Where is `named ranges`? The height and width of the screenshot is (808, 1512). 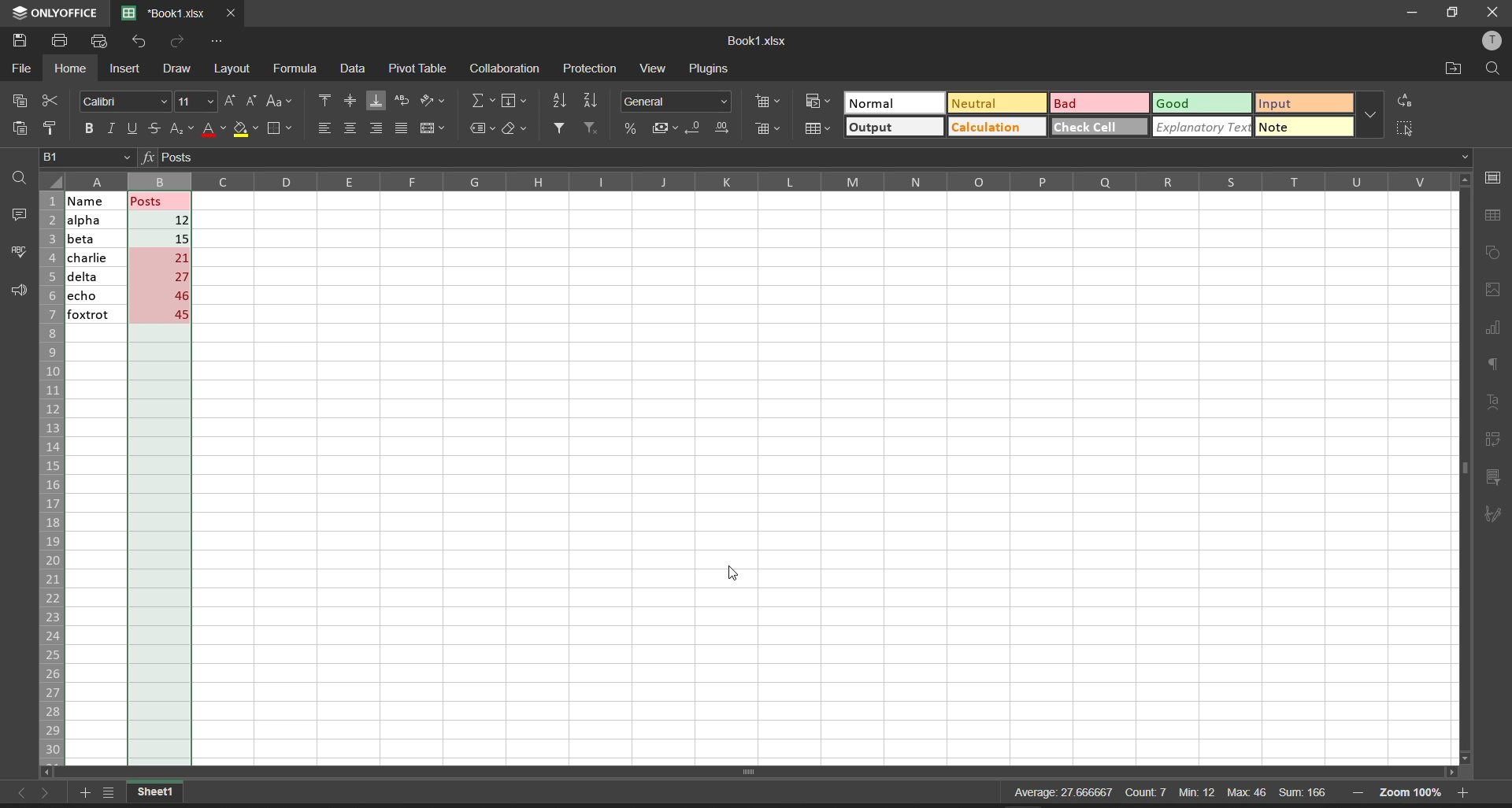 named ranges is located at coordinates (478, 128).